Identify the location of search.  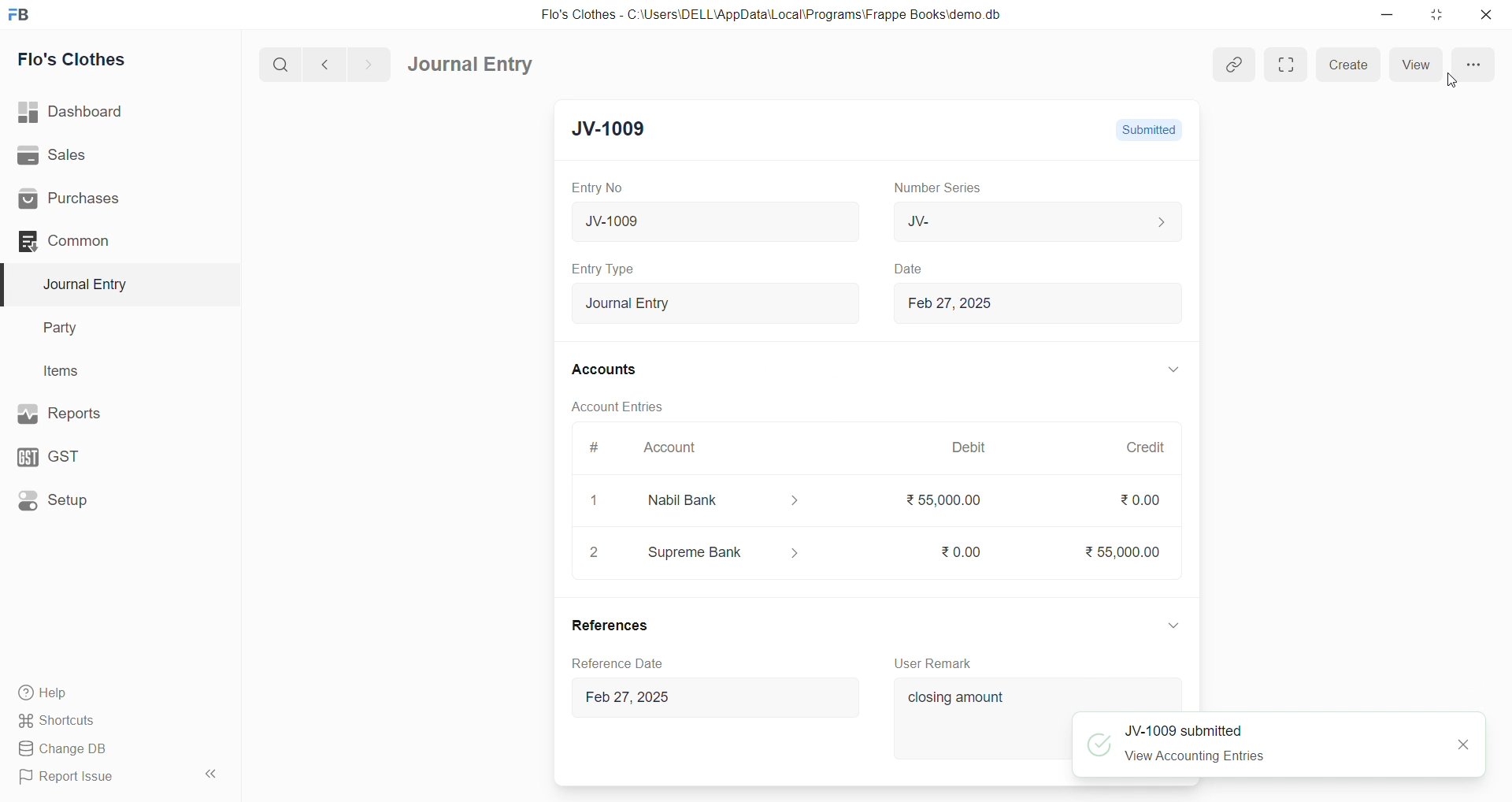
(278, 66).